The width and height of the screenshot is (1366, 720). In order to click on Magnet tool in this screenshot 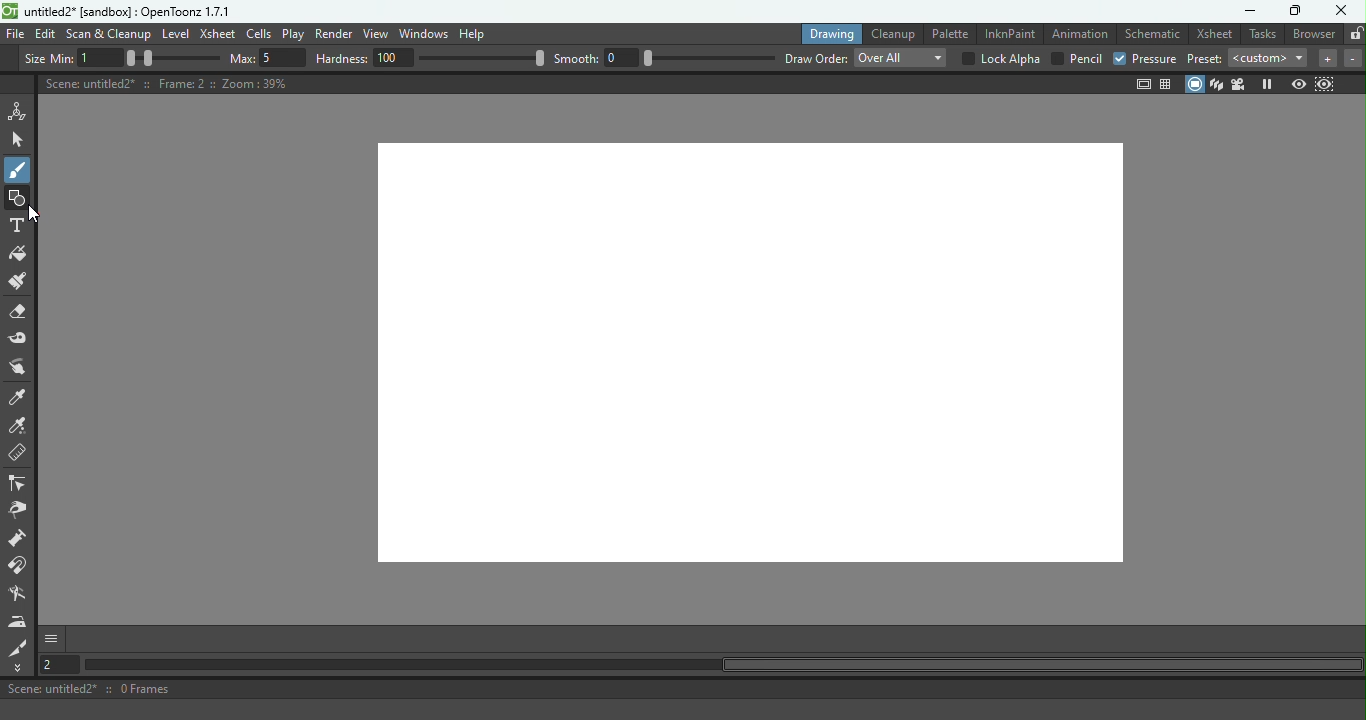, I will do `click(21, 568)`.